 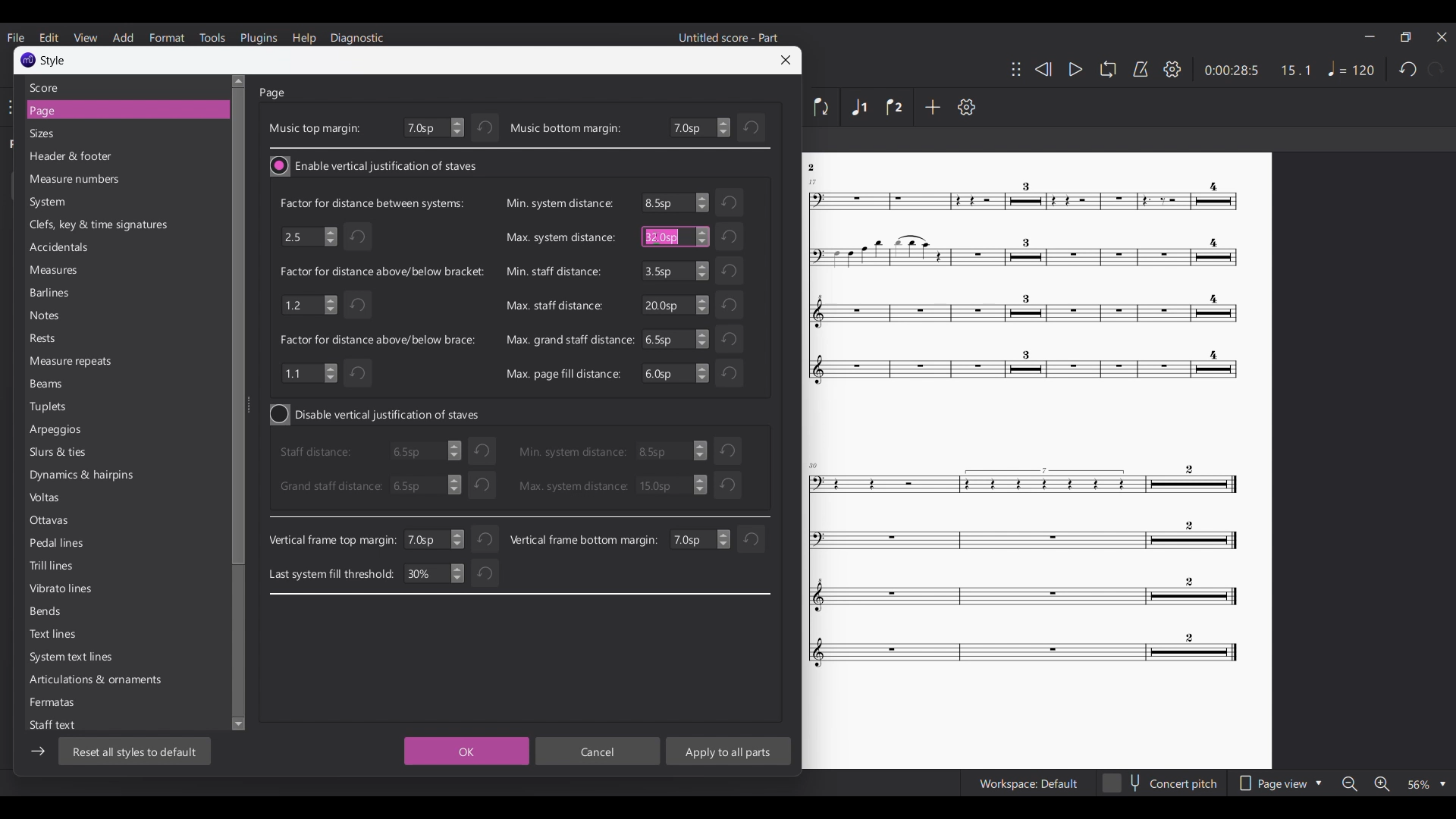 I want to click on Top margin settings, so click(x=434, y=128).